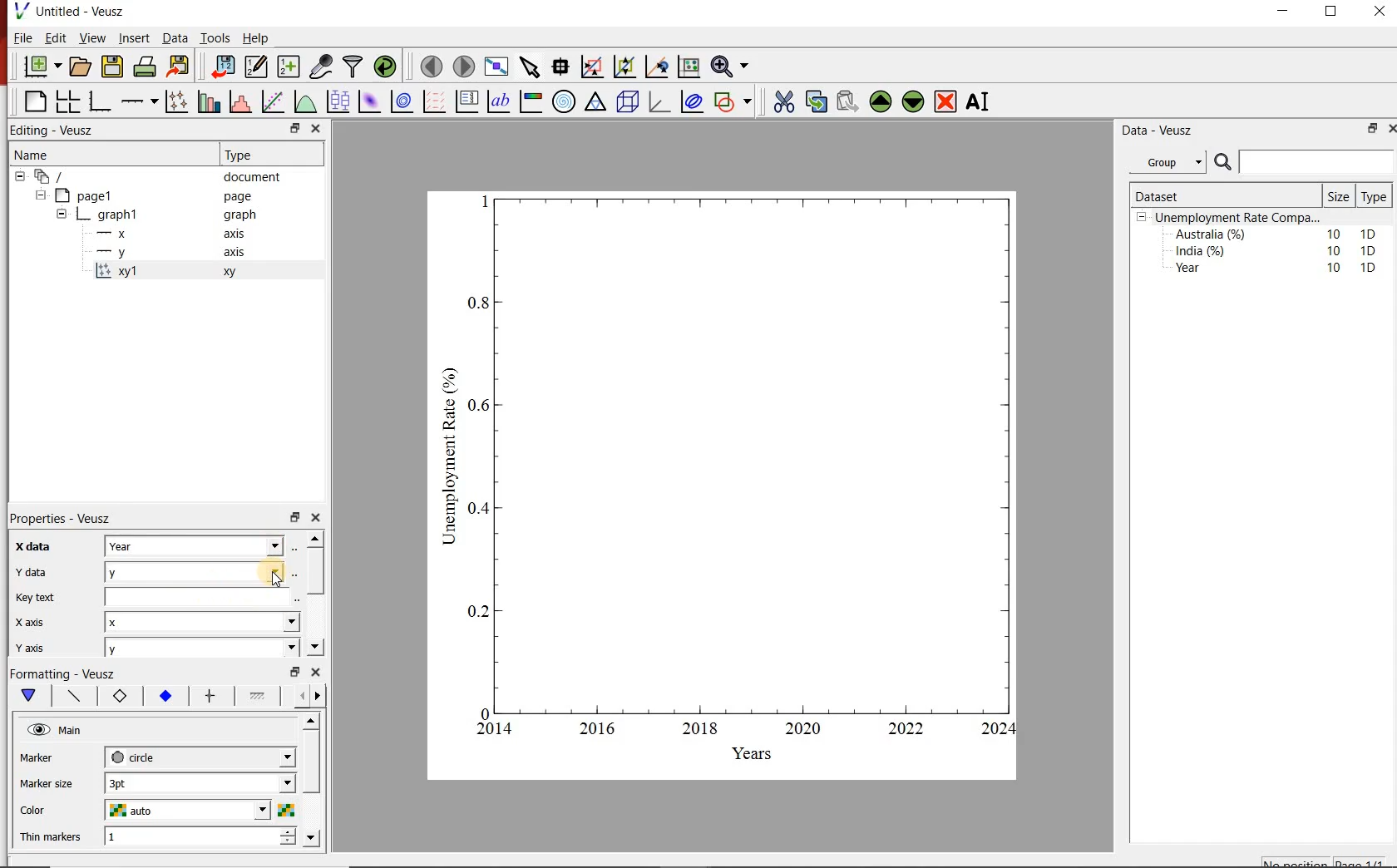 The width and height of the screenshot is (1397, 868). I want to click on plot 2d datasets as image, so click(369, 101).